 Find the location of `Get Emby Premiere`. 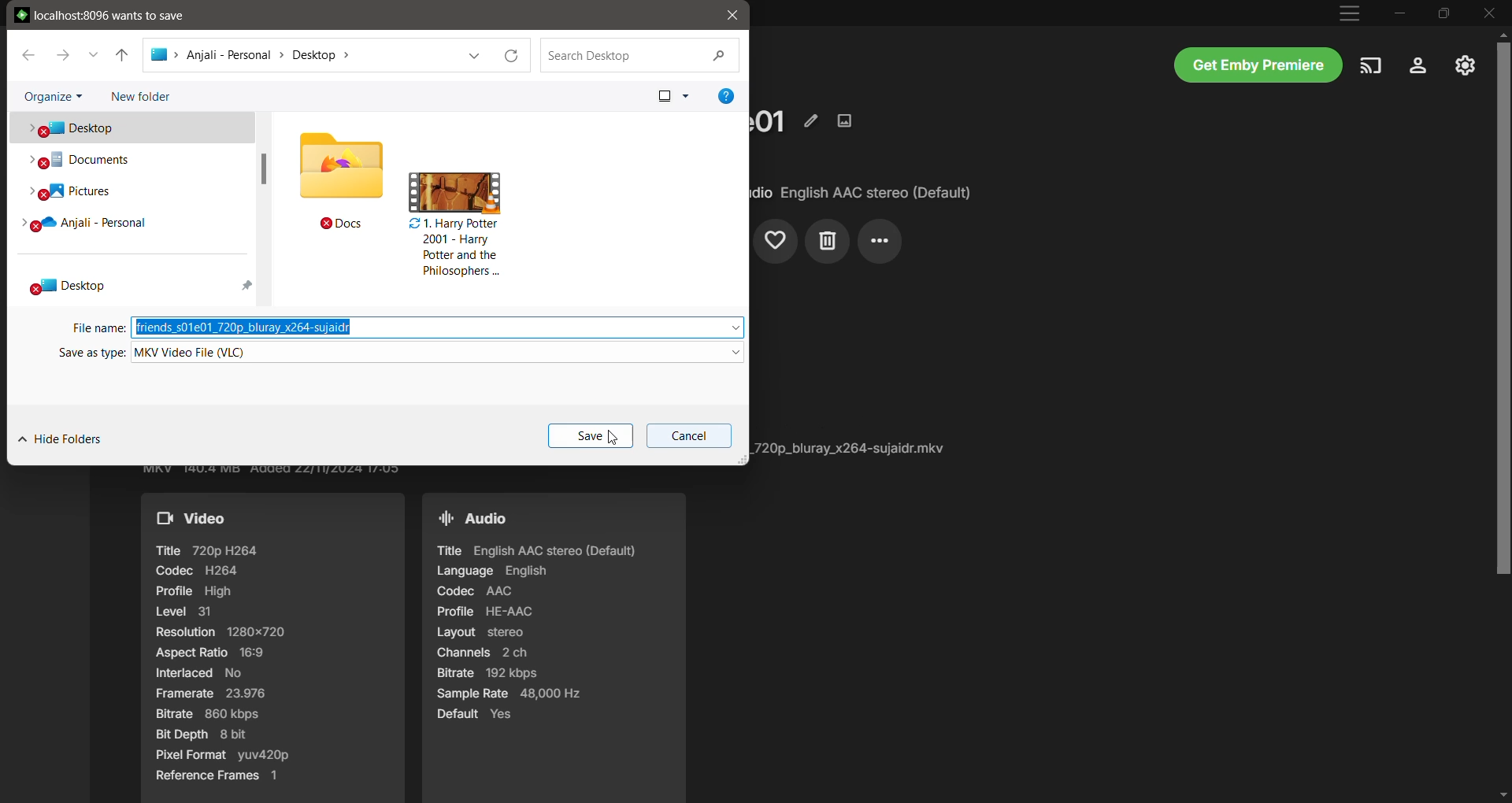

Get Emby Premiere is located at coordinates (1258, 65).